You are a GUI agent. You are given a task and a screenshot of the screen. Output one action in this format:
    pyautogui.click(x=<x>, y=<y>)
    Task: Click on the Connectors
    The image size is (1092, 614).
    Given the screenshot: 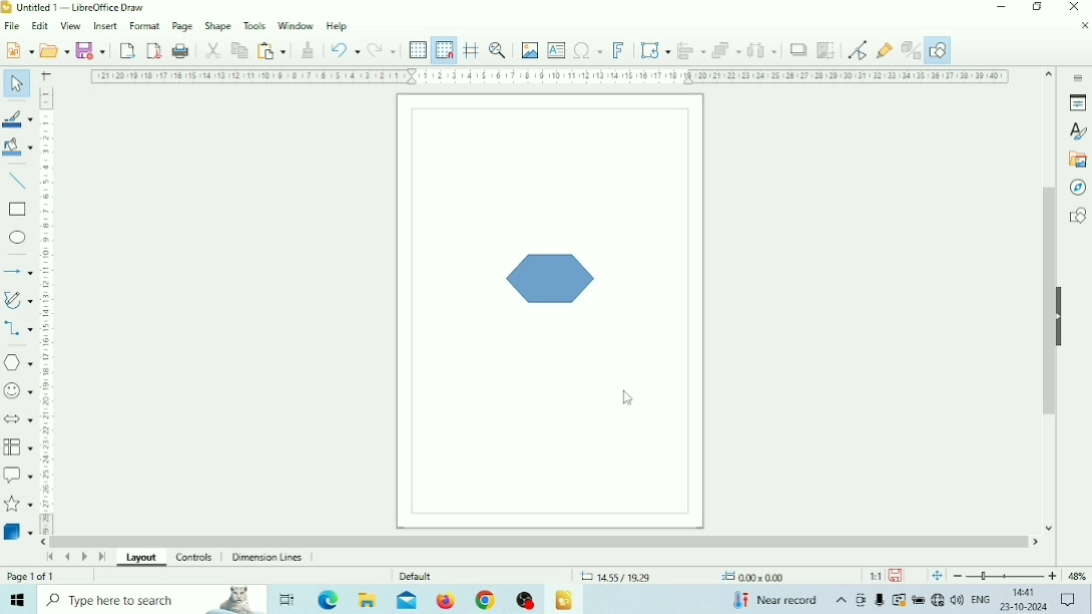 What is the action you would take?
    pyautogui.click(x=18, y=330)
    